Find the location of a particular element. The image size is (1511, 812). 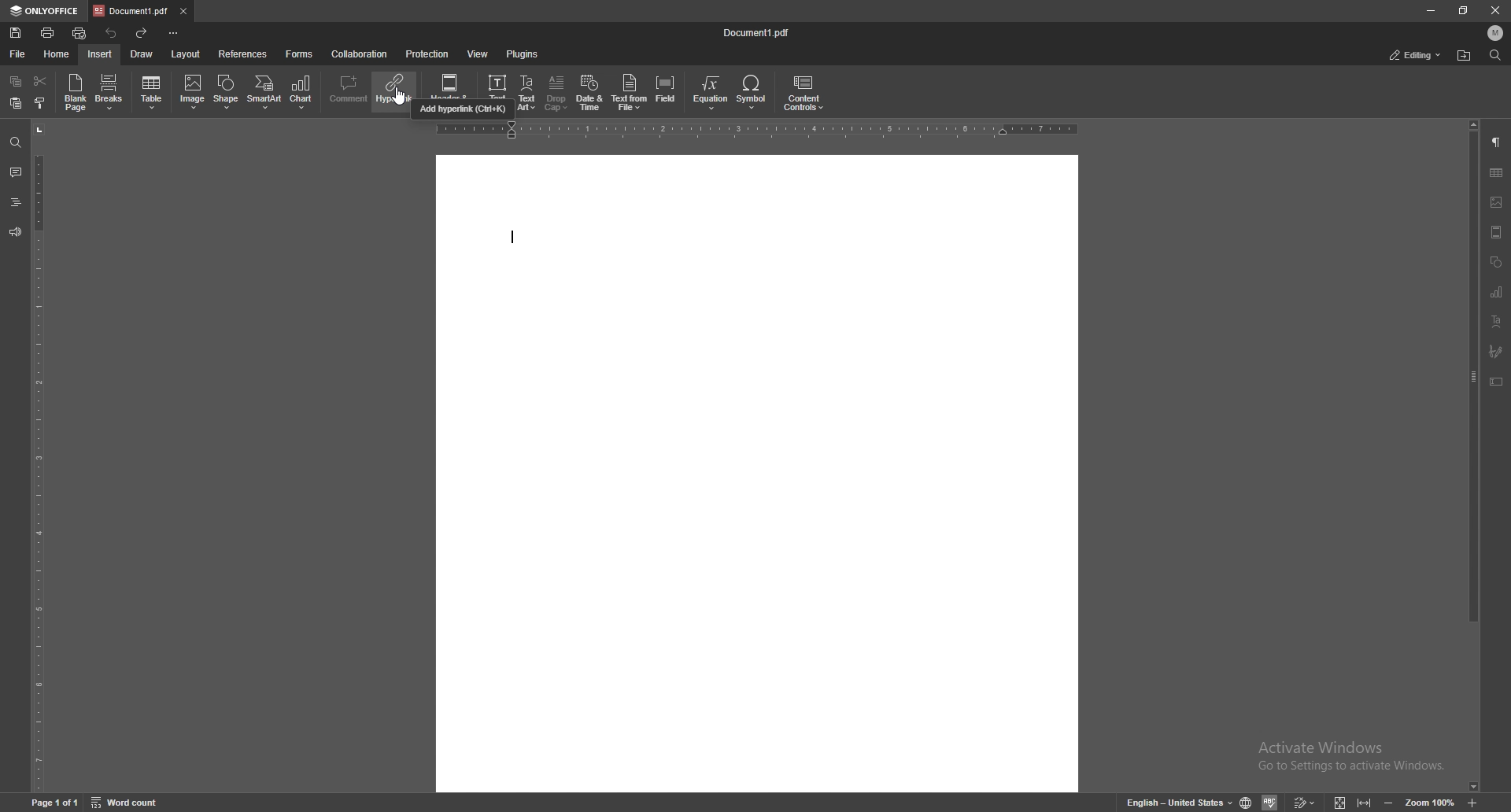

plugins is located at coordinates (522, 54).